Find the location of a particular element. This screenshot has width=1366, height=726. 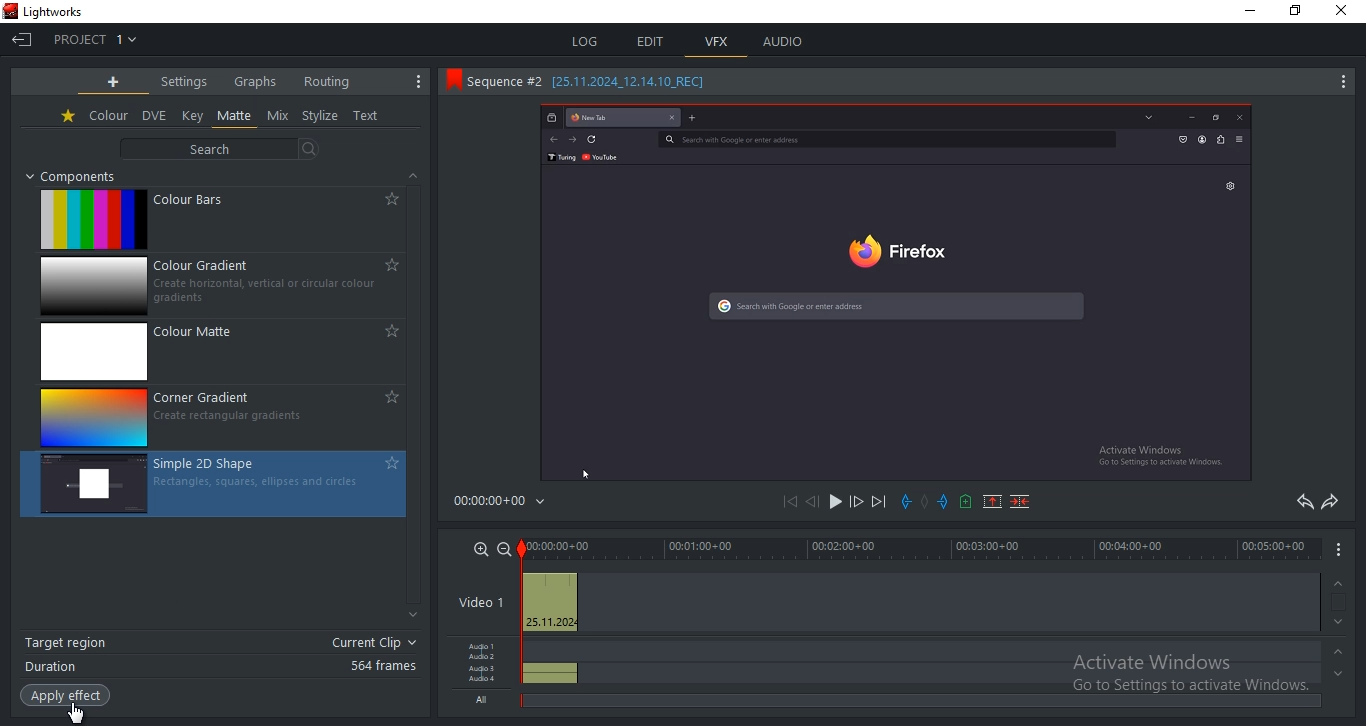

sequence title is located at coordinates (582, 79).